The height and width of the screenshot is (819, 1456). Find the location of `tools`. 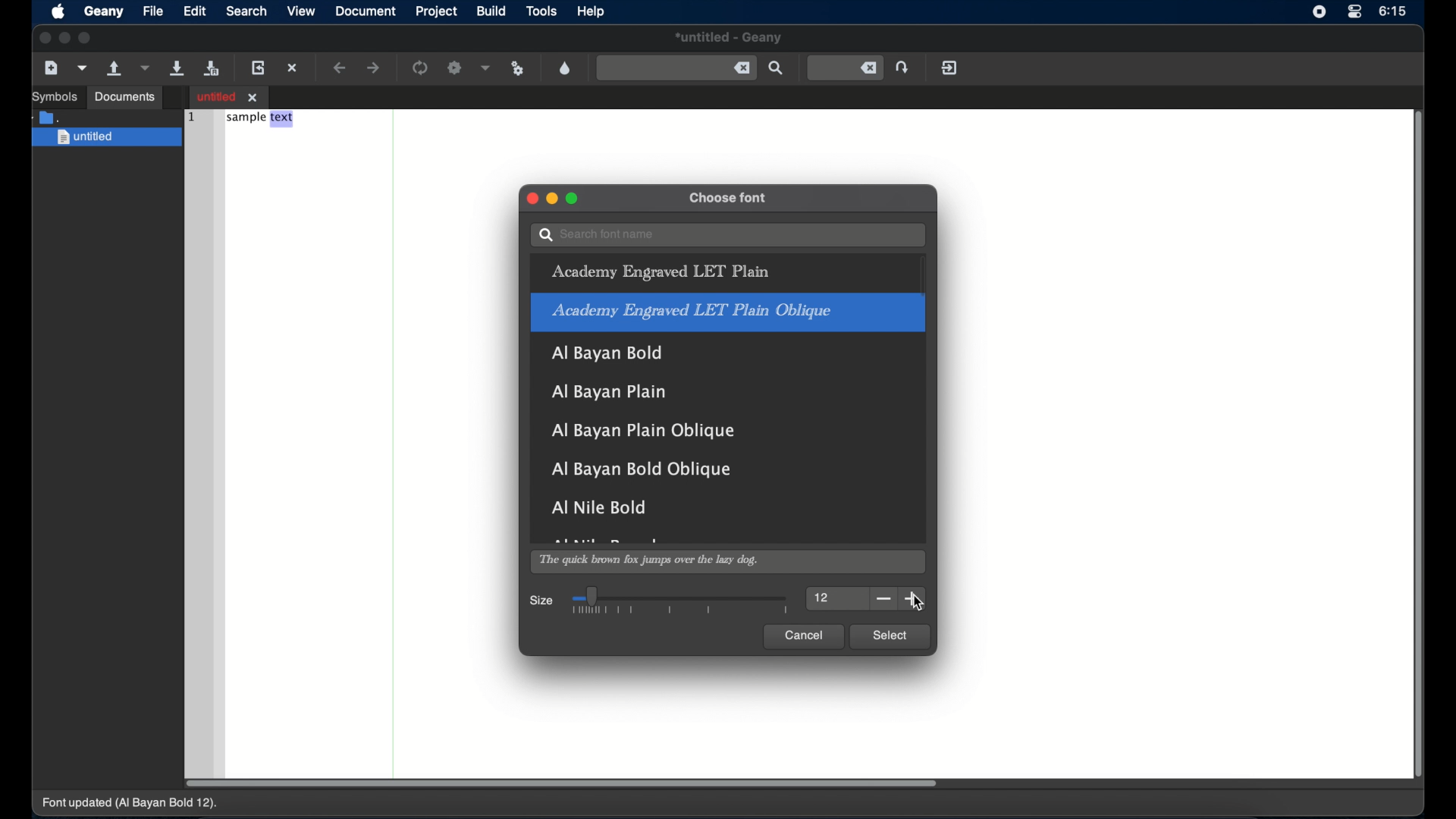

tools is located at coordinates (543, 12).